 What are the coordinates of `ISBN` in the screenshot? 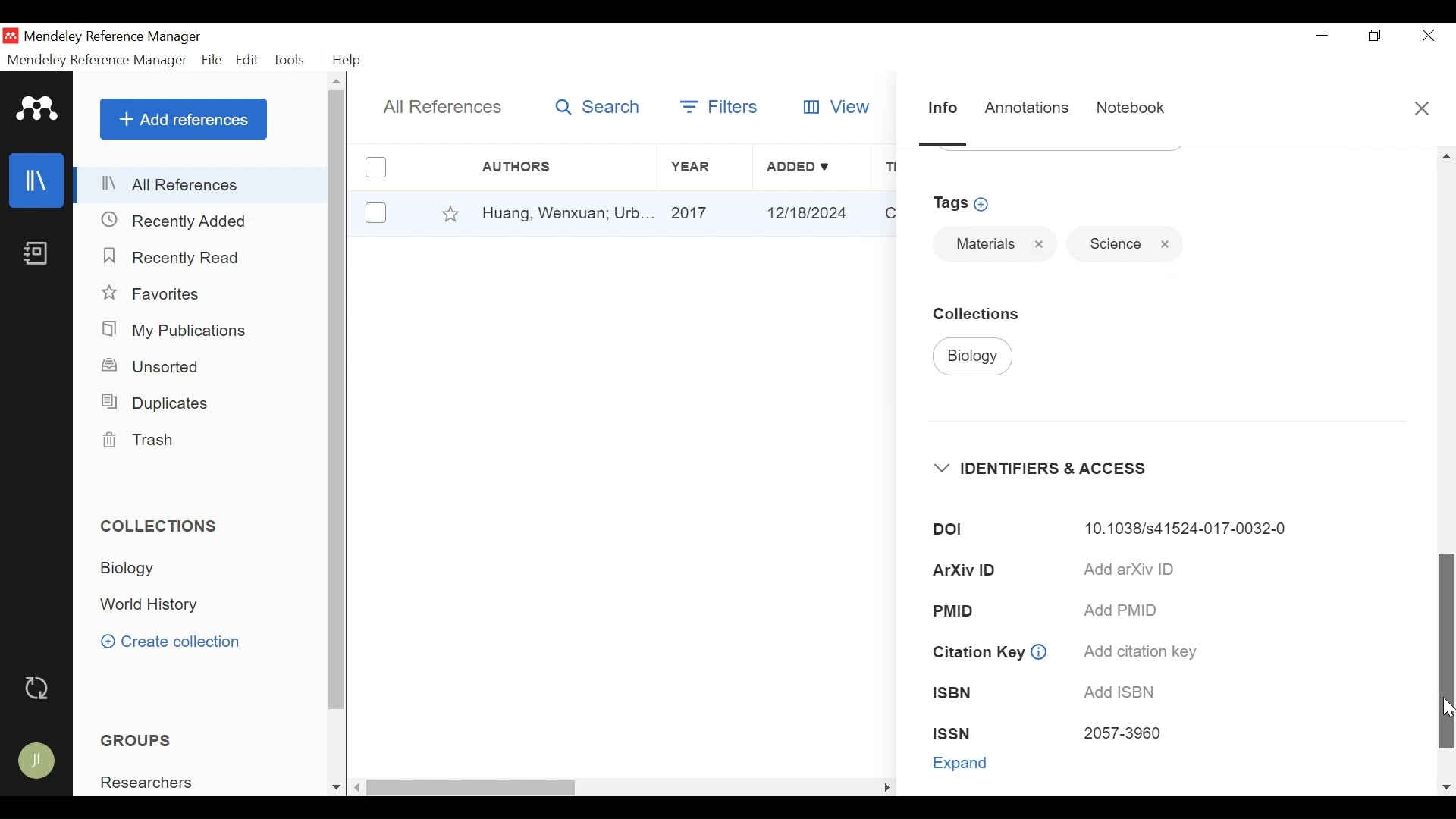 It's located at (954, 693).